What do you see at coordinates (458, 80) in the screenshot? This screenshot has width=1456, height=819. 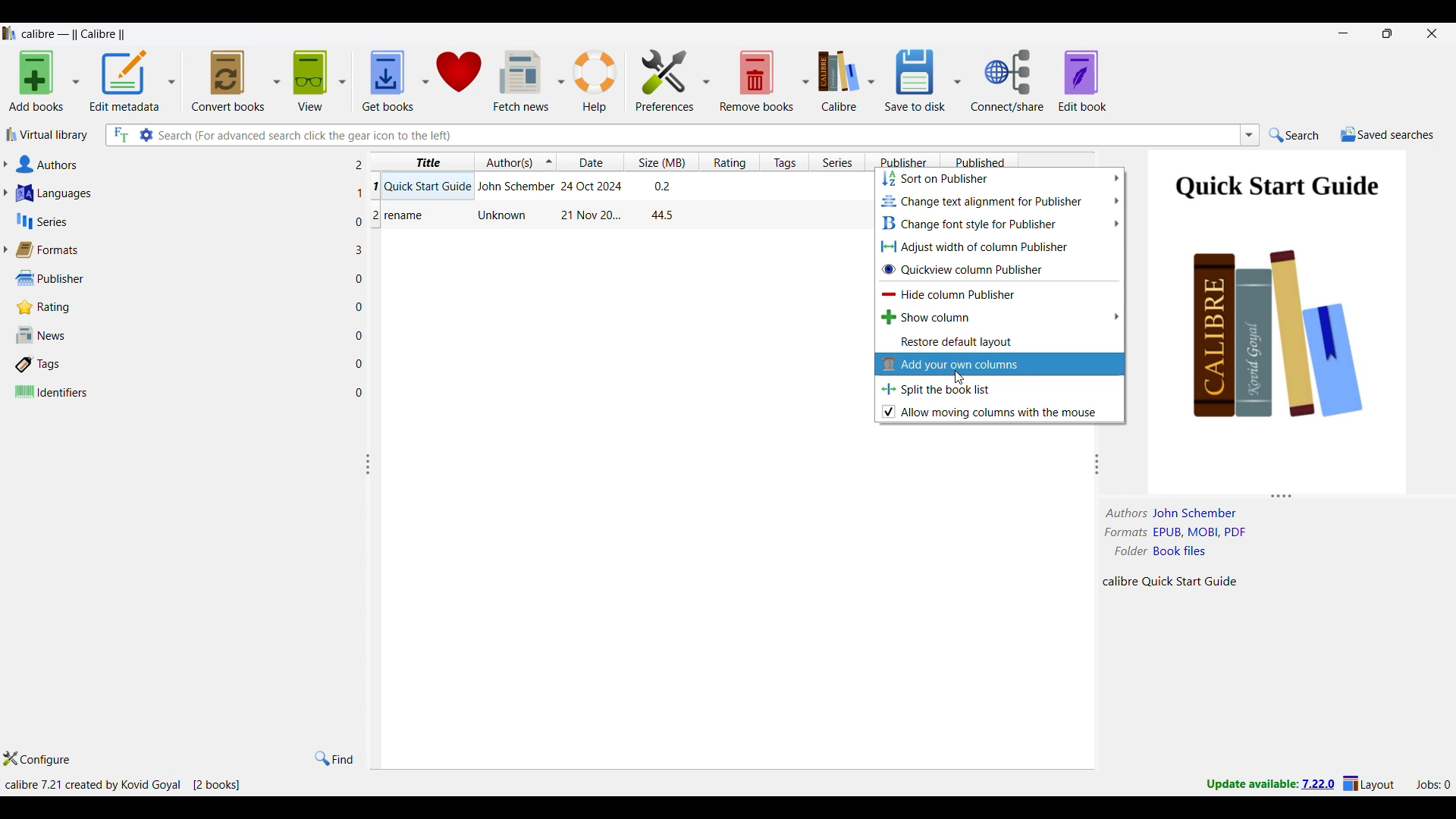 I see `Donate to software` at bounding box center [458, 80].